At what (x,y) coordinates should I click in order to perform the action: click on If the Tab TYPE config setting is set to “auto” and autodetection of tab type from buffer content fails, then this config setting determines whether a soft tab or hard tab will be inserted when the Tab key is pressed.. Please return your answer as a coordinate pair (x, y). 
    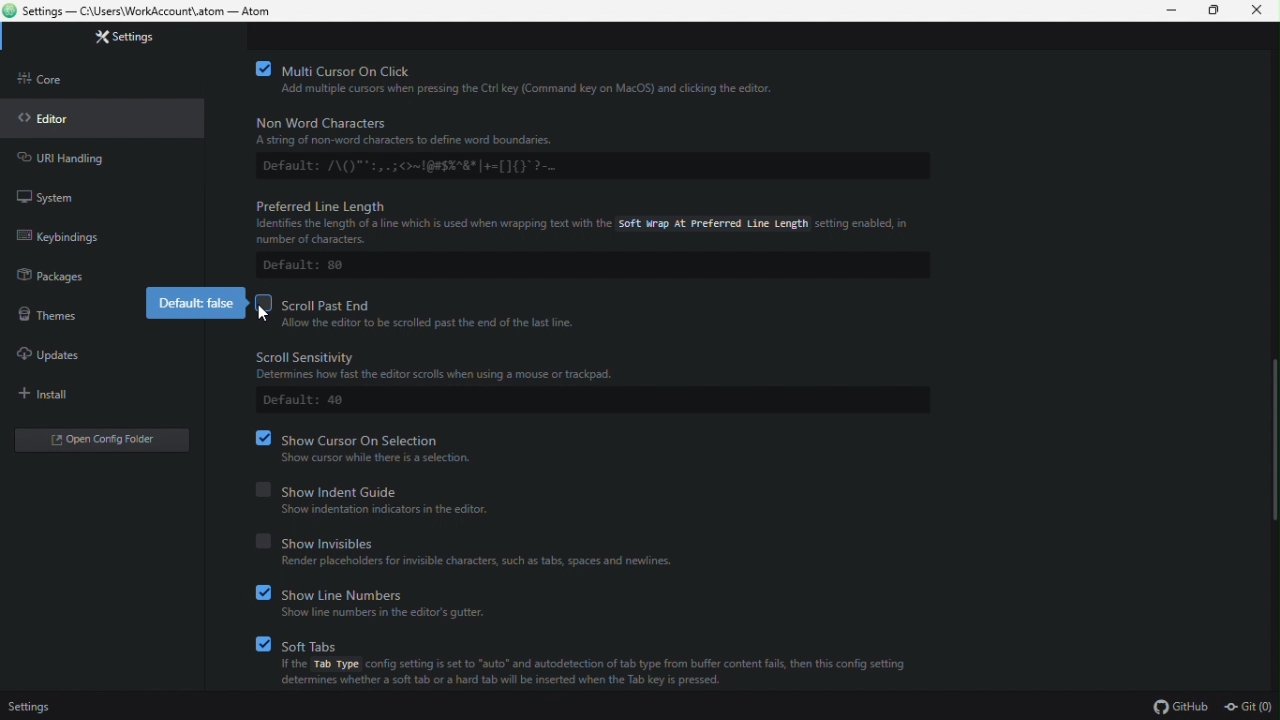
    Looking at the image, I should click on (596, 677).